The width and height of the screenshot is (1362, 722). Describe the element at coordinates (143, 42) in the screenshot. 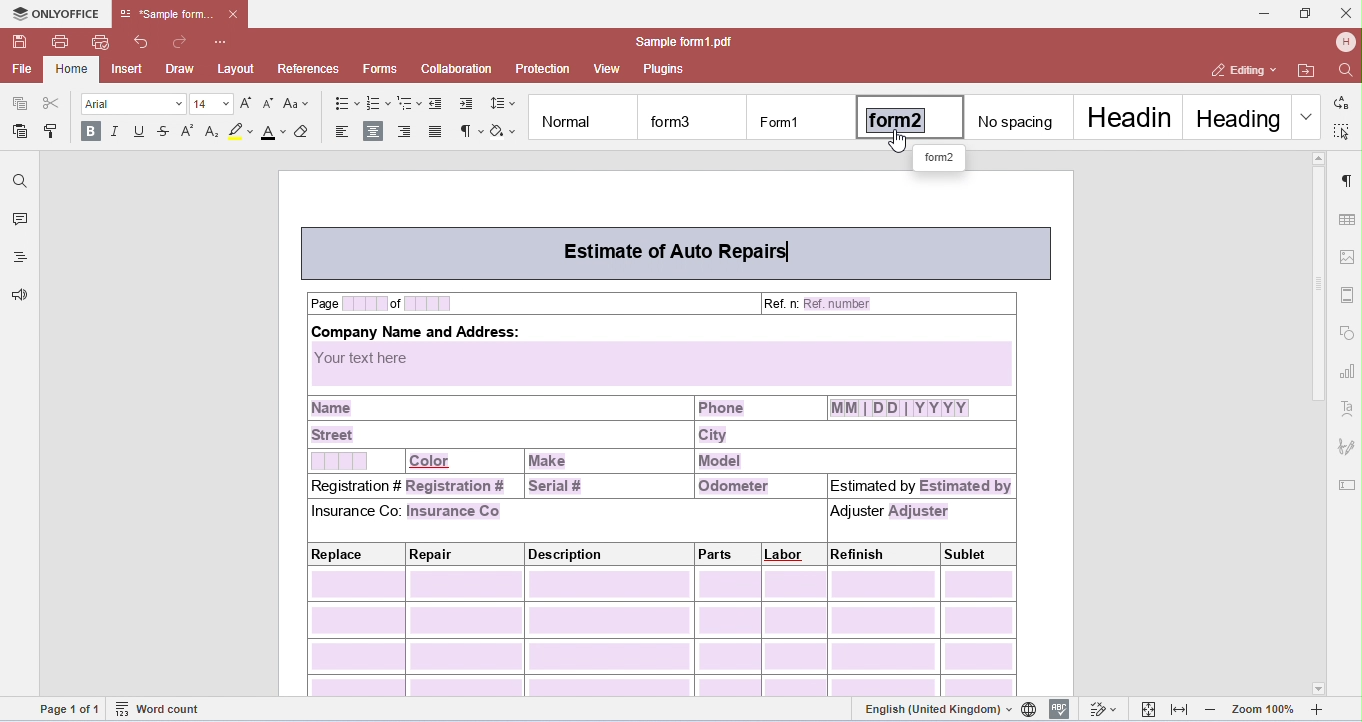

I see `undo` at that location.